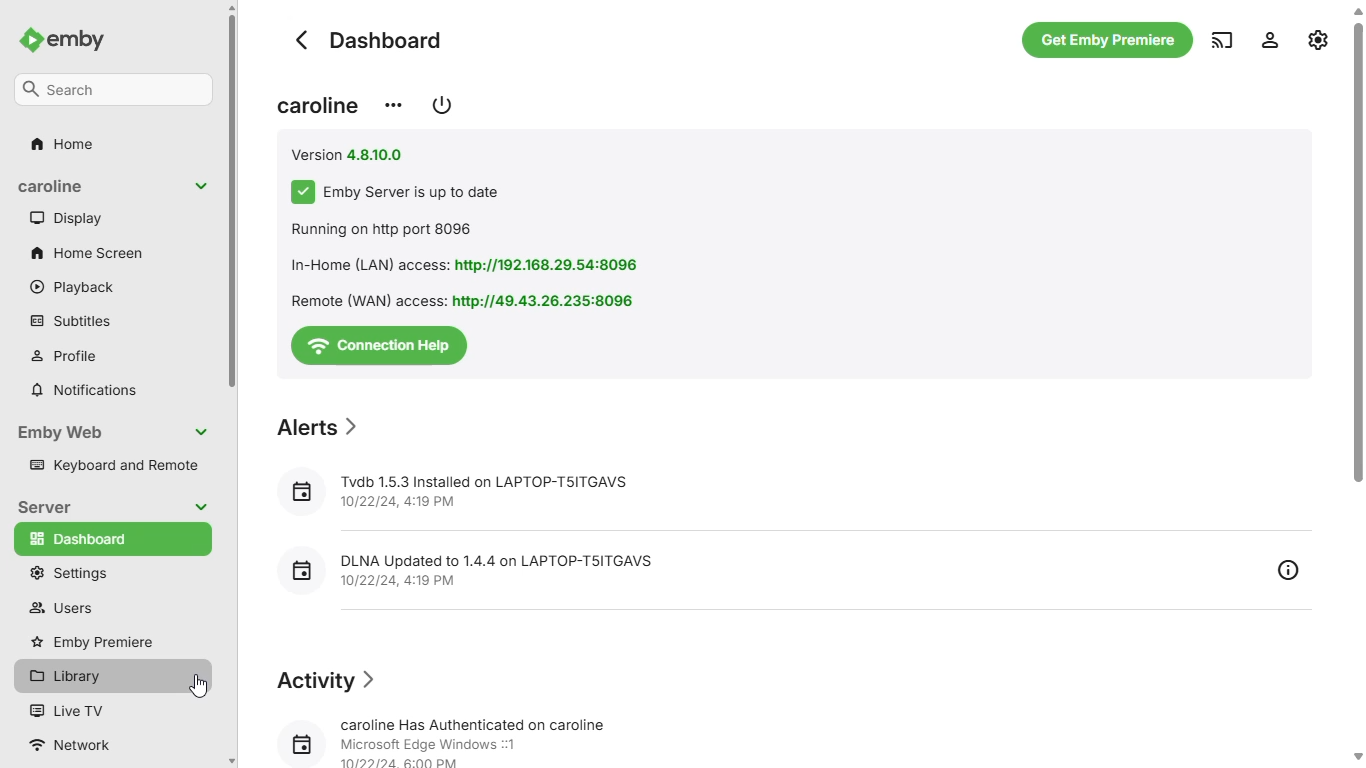  Describe the element at coordinates (61, 608) in the screenshot. I see `users` at that location.